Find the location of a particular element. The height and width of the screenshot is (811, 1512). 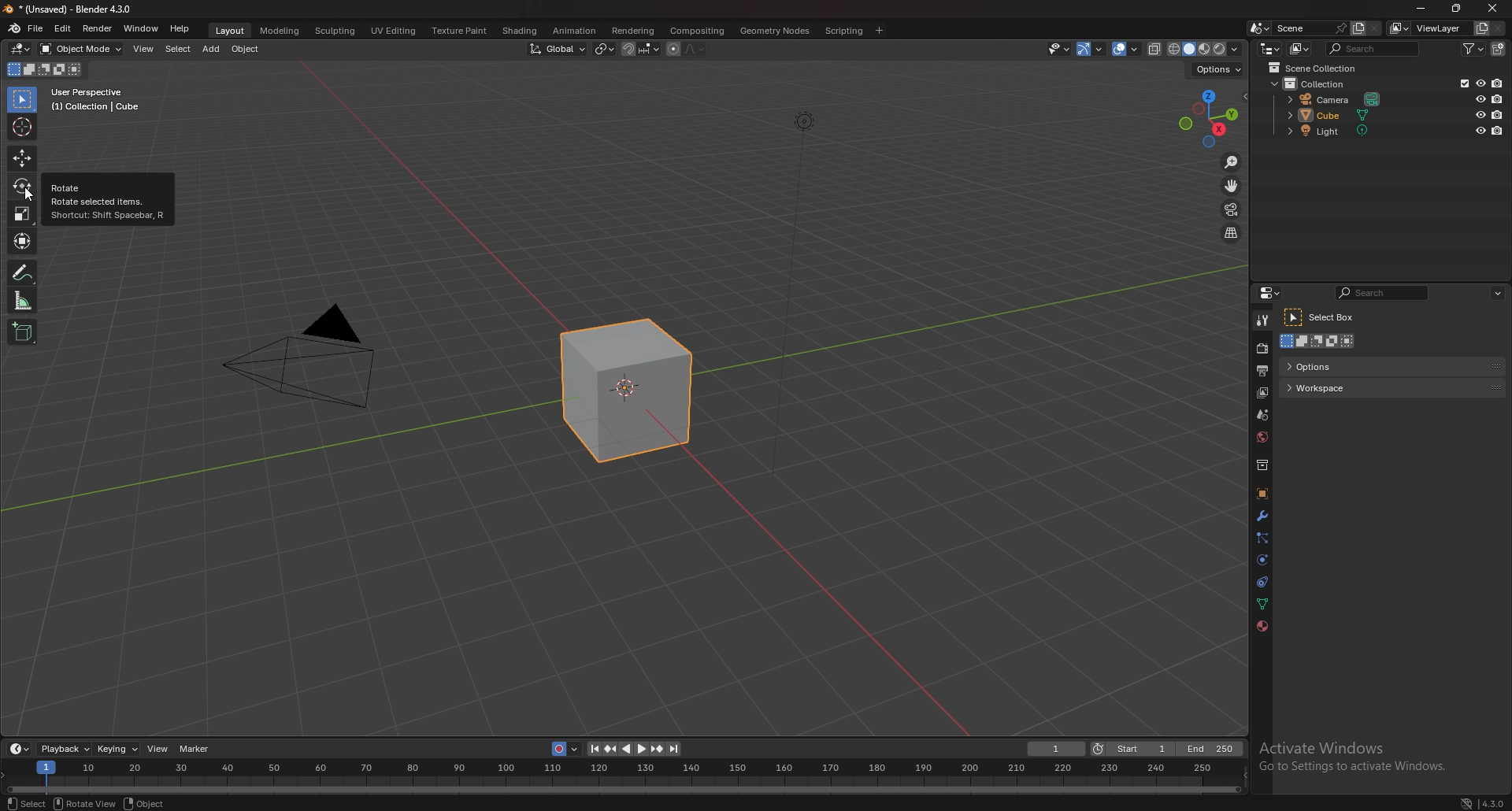

close is located at coordinates (1492, 9).